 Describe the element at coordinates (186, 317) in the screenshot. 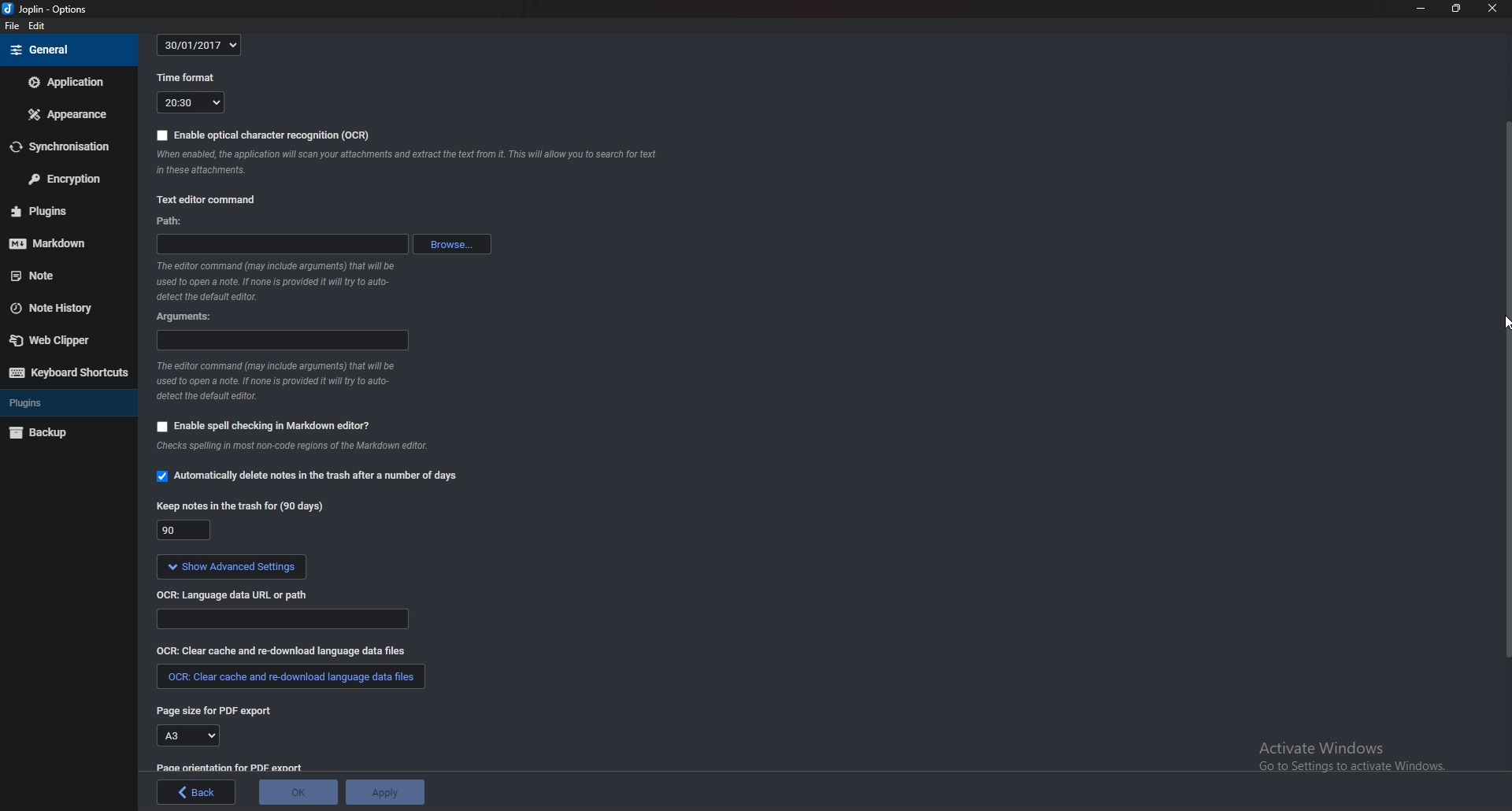

I see `Arguments` at that location.